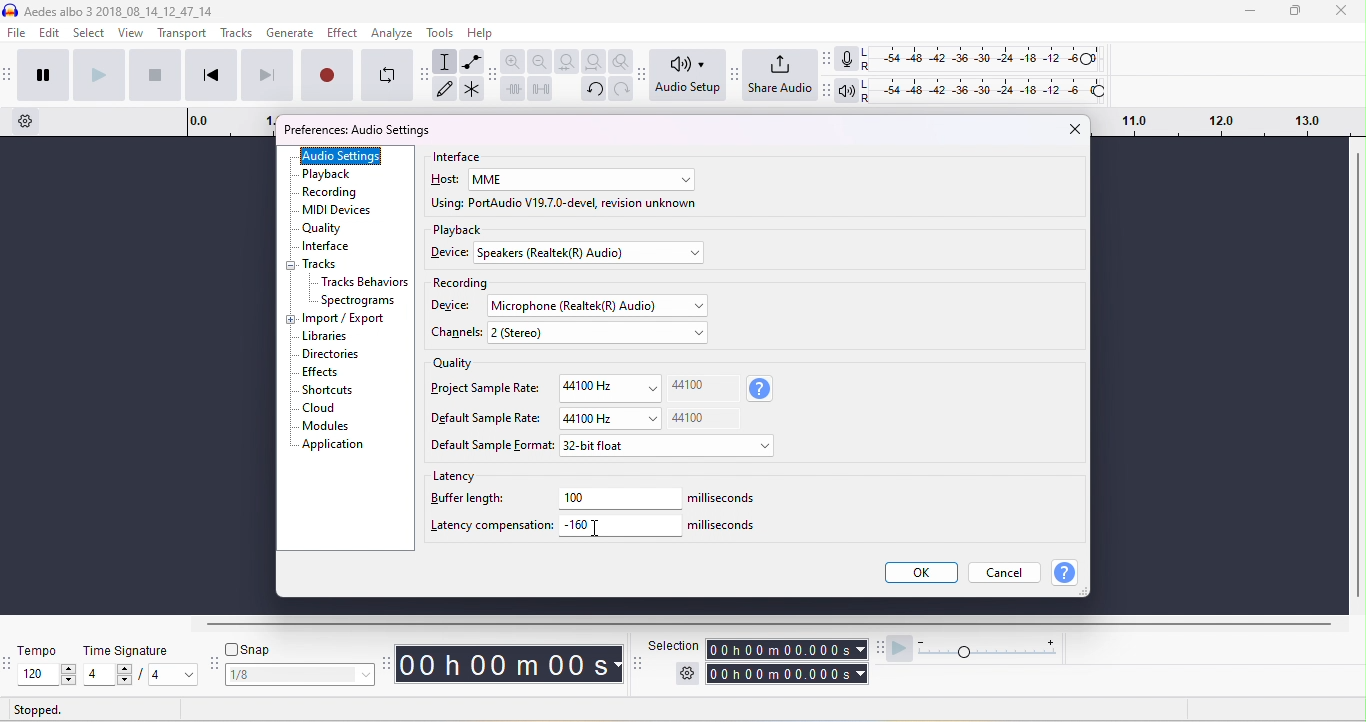  What do you see at coordinates (356, 130) in the screenshot?
I see `preferences audio settings` at bounding box center [356, 130].